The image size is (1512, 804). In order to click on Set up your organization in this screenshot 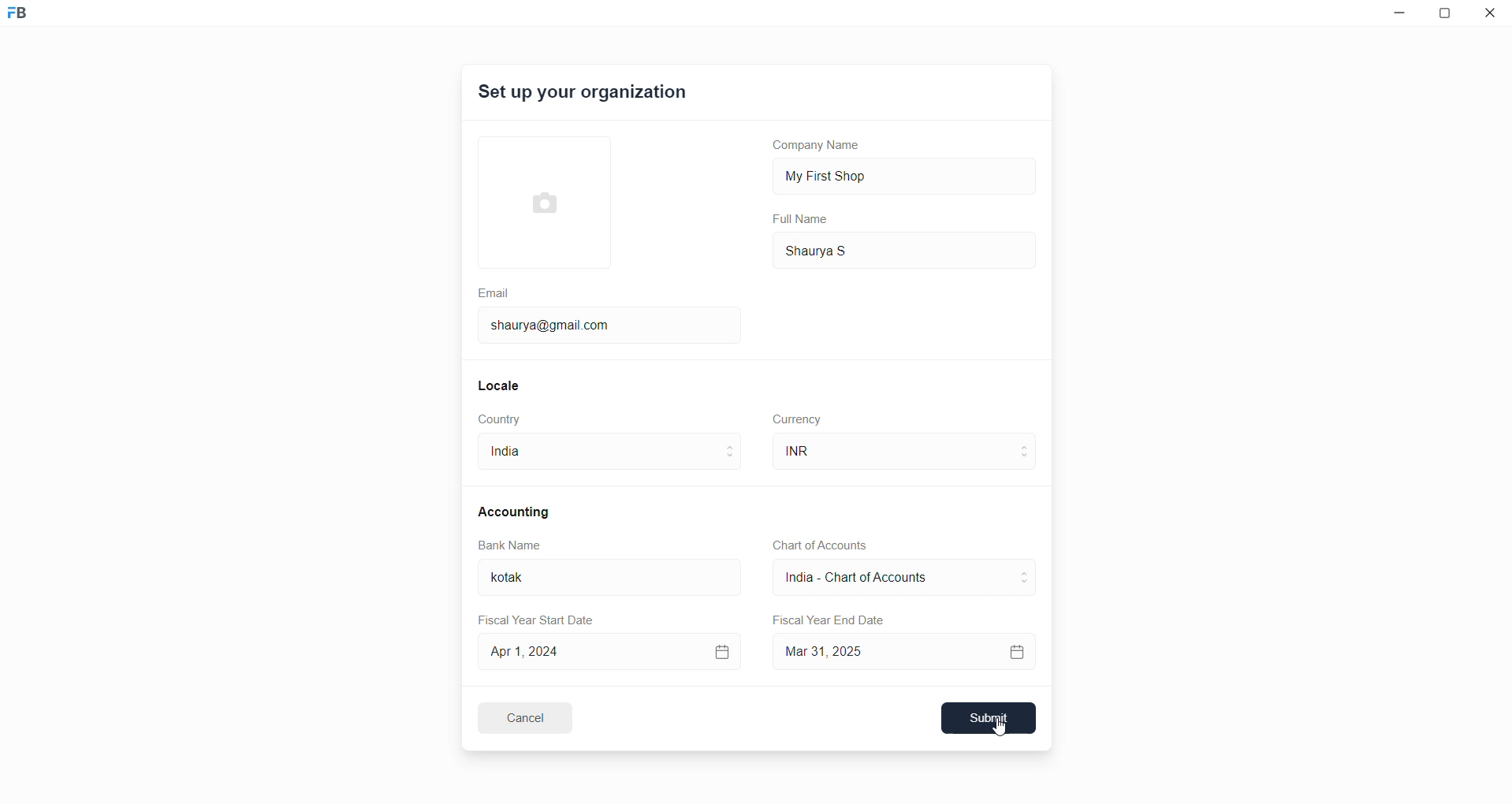, I will do `click(584, 95)`.